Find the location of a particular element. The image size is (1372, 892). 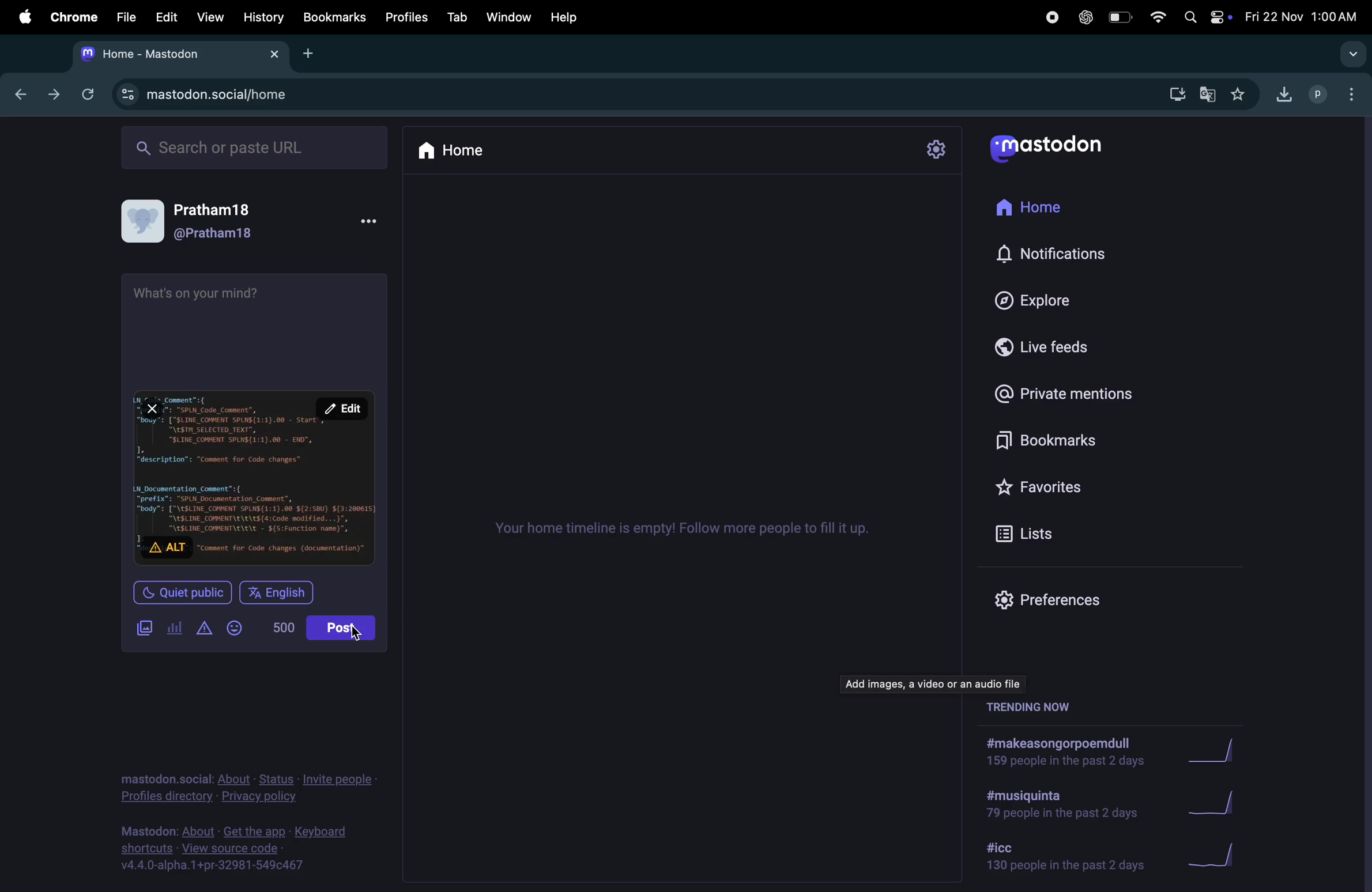

about is located at coordinates (235, 780).